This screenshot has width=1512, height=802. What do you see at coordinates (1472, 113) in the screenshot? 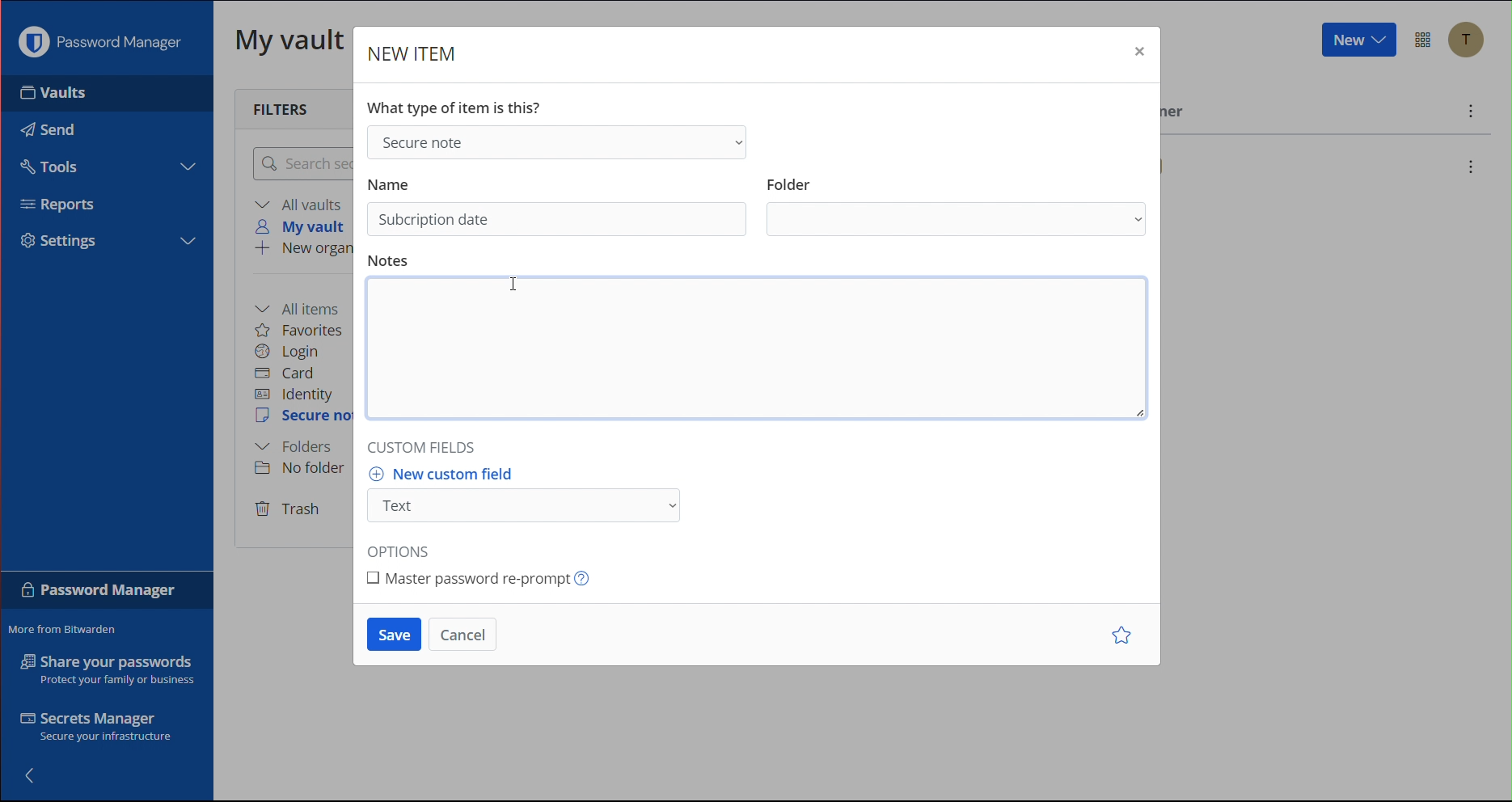
I see `More` at bounding box center [1472, 113].